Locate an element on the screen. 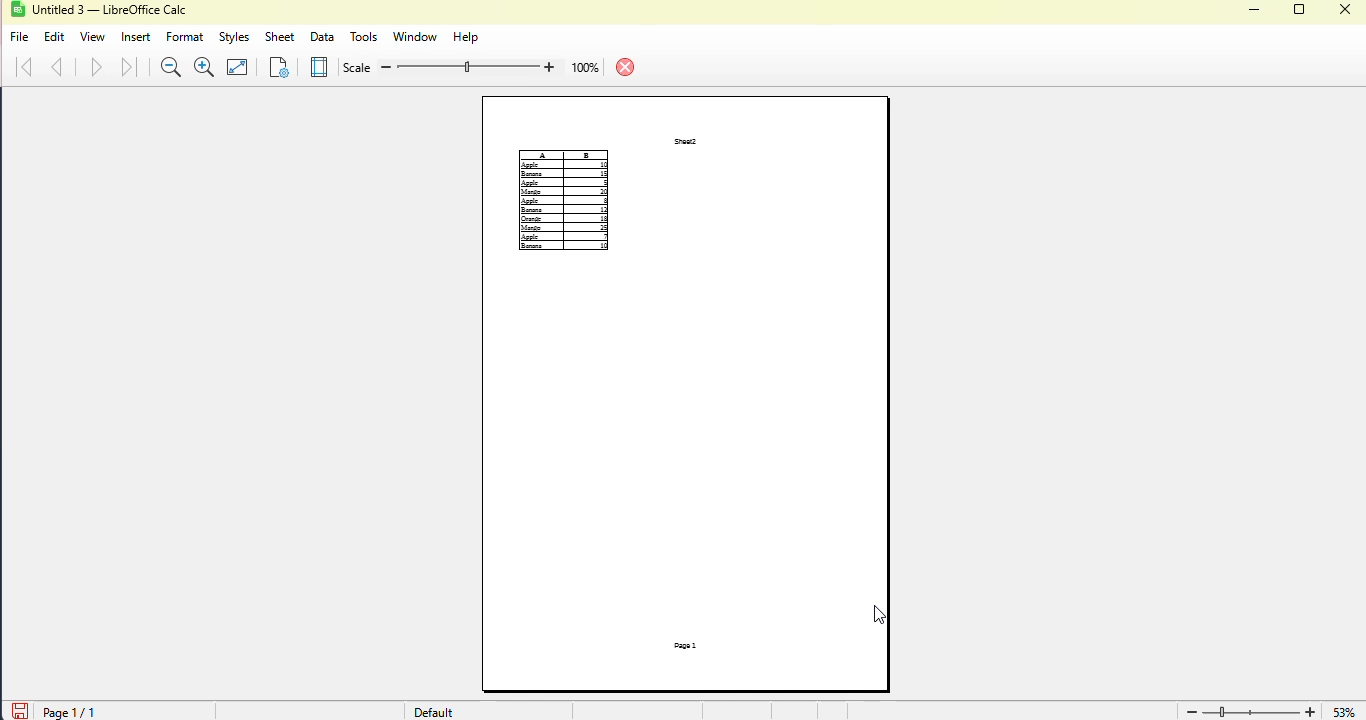  previous page is located at coordinates (58, 67).